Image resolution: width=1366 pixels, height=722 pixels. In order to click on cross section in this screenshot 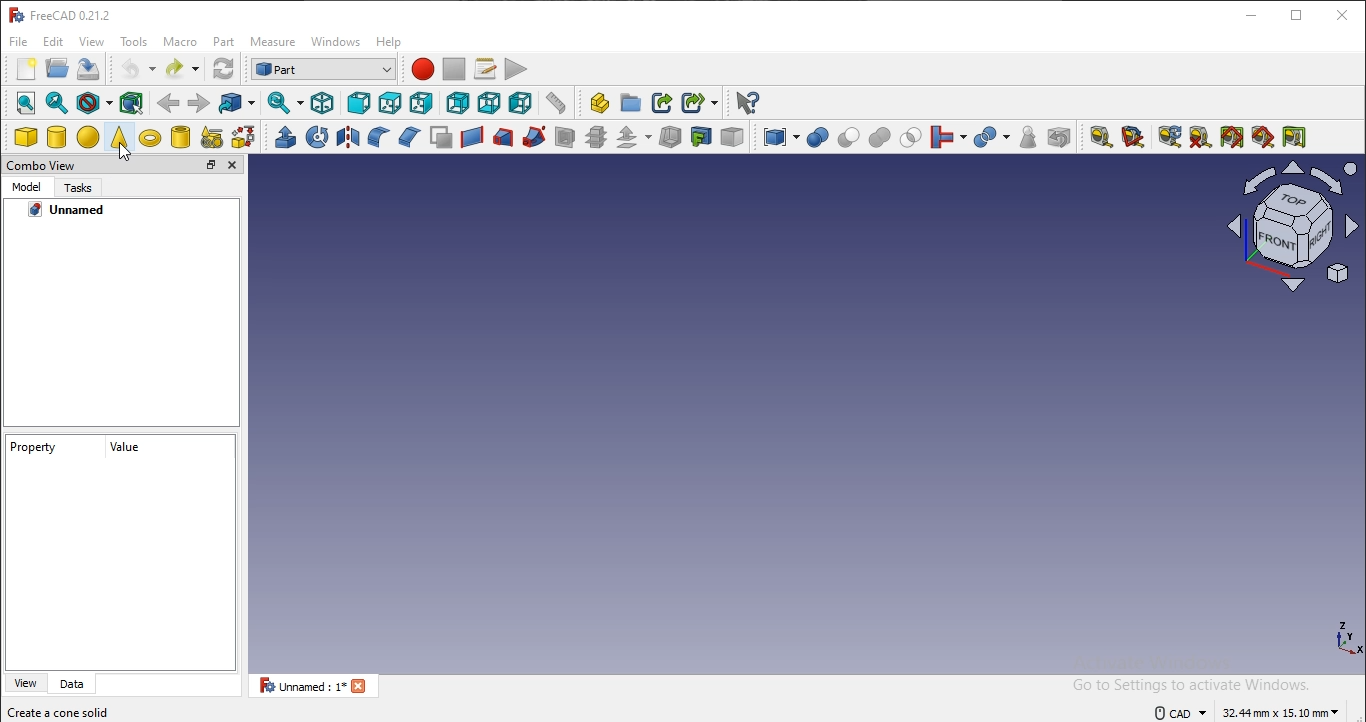, I will do `click(598, 136)`.